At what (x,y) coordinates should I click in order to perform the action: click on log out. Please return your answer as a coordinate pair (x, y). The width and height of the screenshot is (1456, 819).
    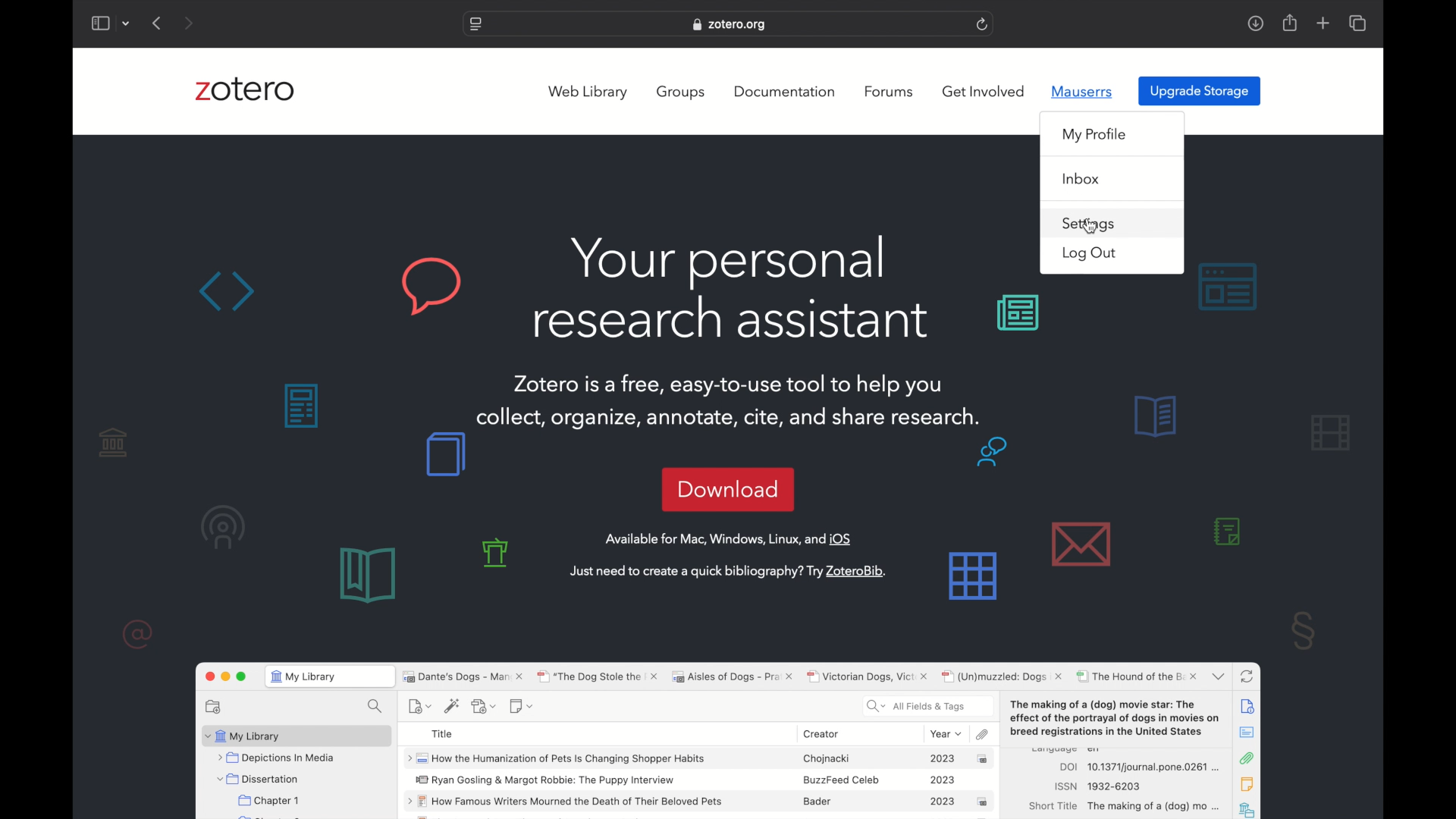
    Looking at the image, I should click on (1090, 254).